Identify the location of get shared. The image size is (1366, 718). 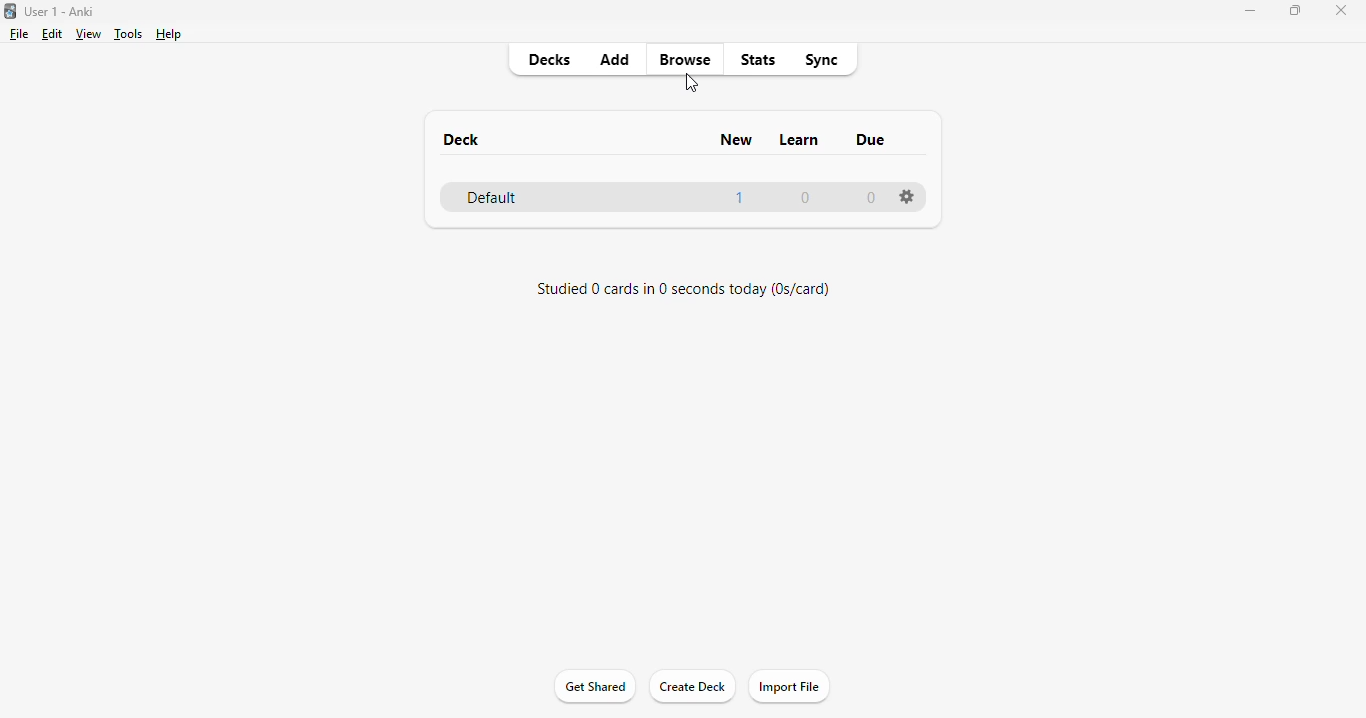
(594, 686).